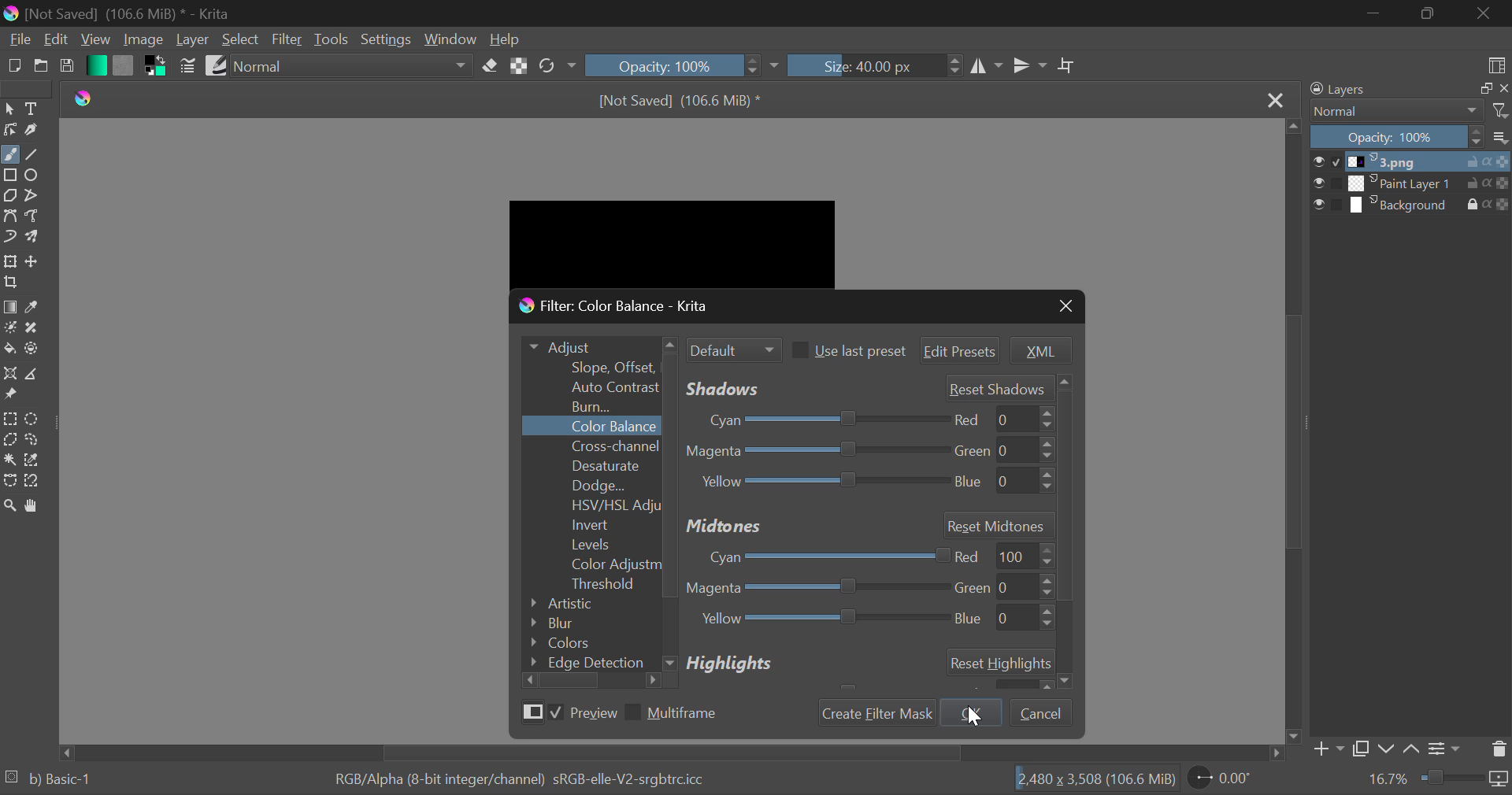 The height and width of the screenshot is (795, 1512). Describe the element at coordinates (32, 439) in the screenshot. I see `Freehand Selection` at that location.